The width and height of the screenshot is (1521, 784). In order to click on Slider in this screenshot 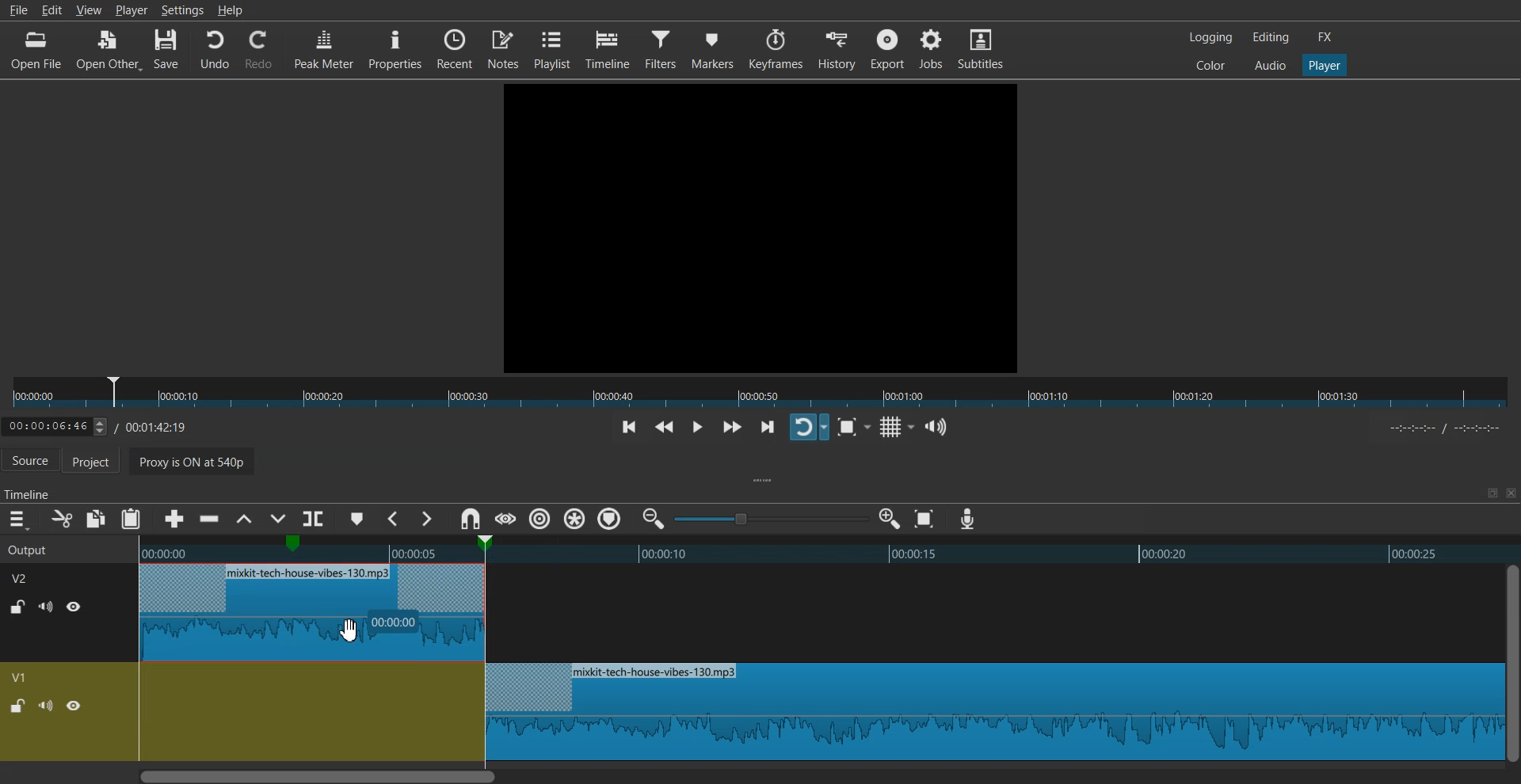, I will do `click(760, 393)`.